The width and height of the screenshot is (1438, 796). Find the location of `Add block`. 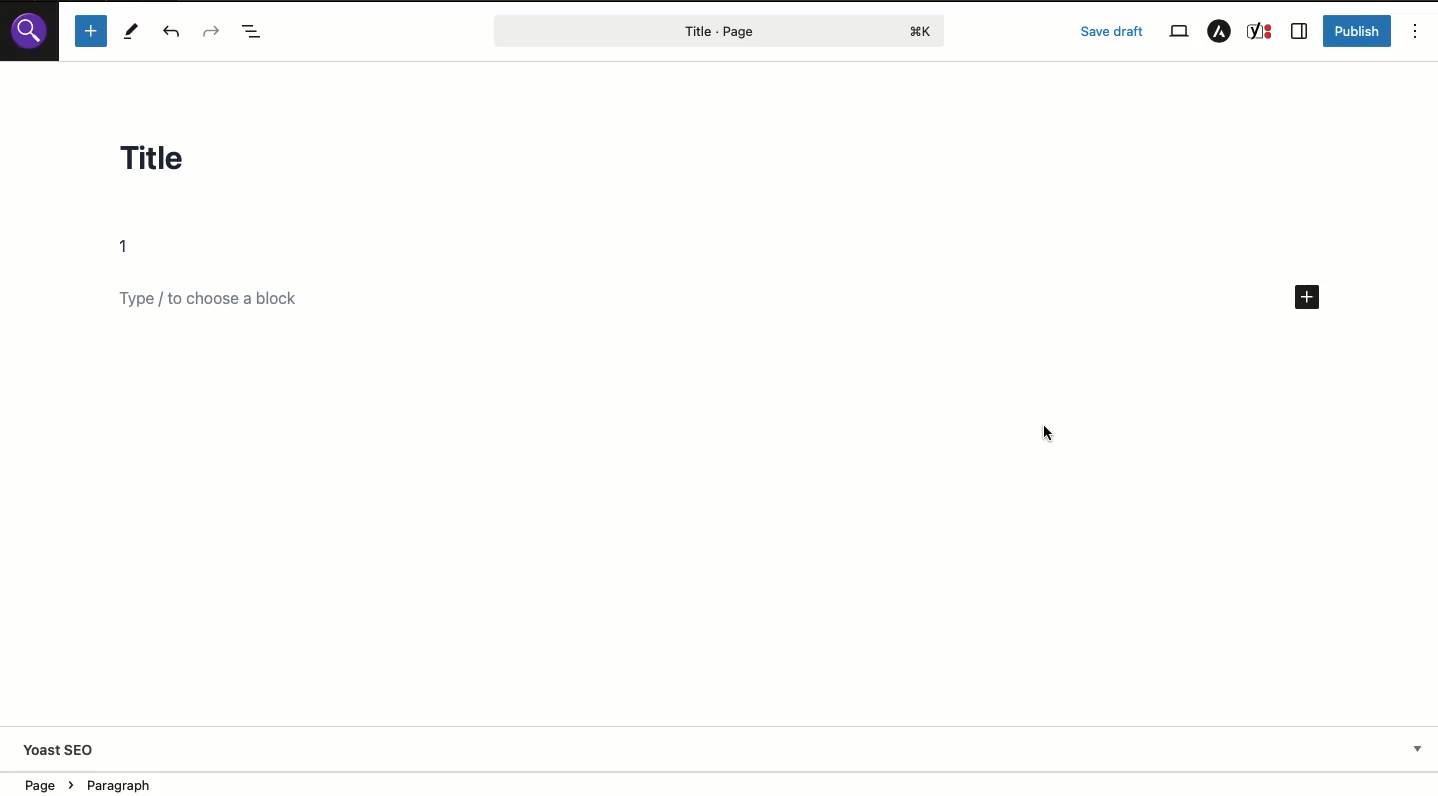

Add block is located at coordinates (90, 31).